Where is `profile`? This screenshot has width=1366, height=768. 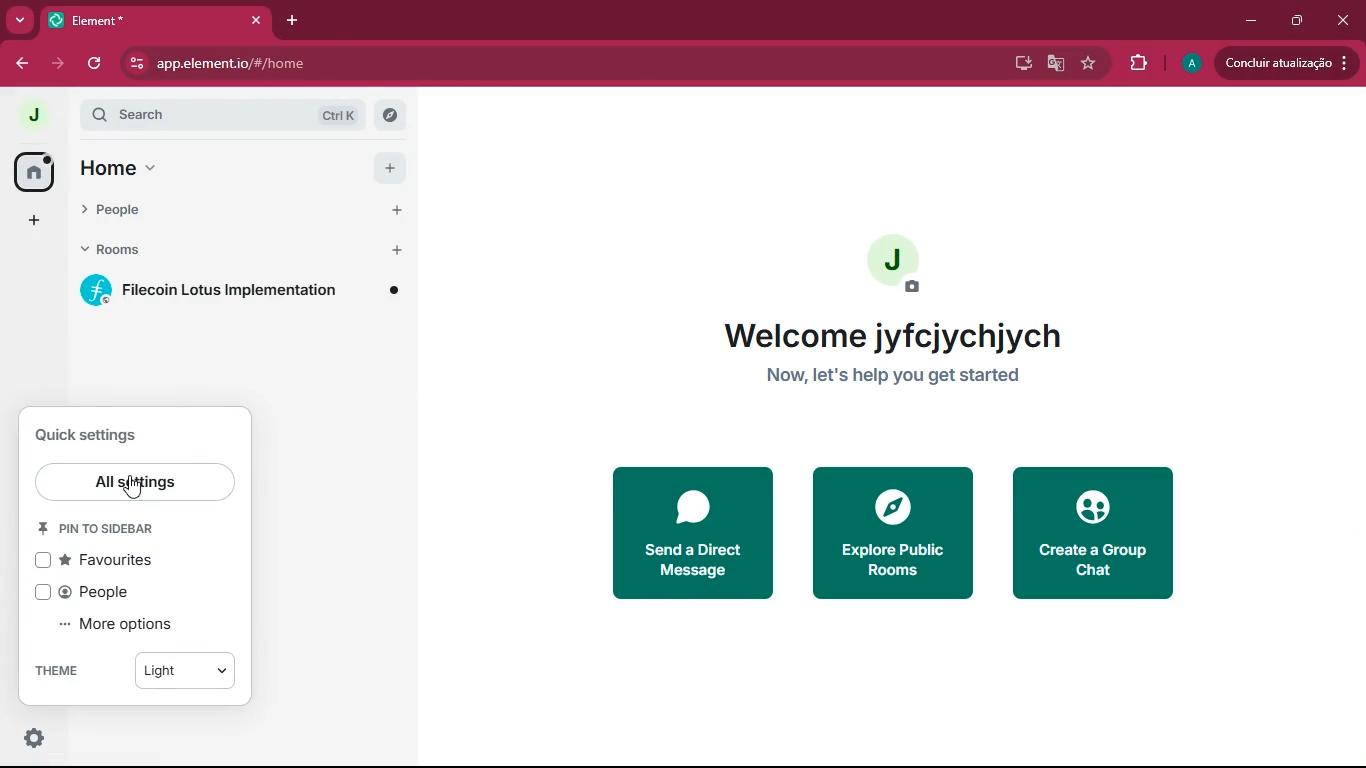 profile is located at coordinates (1191, 63).